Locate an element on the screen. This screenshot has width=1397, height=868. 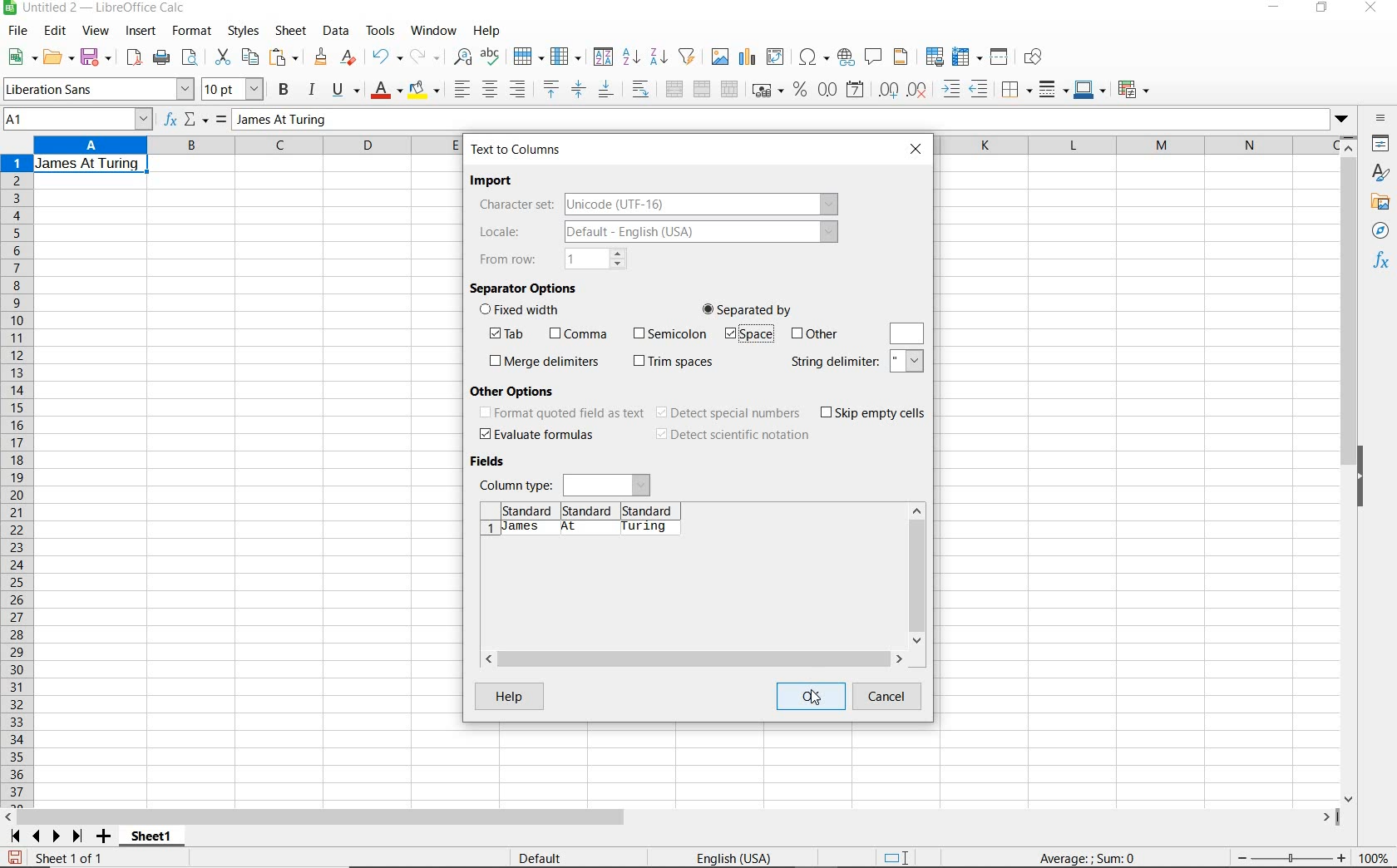
save is located at coordinates (14, 856).